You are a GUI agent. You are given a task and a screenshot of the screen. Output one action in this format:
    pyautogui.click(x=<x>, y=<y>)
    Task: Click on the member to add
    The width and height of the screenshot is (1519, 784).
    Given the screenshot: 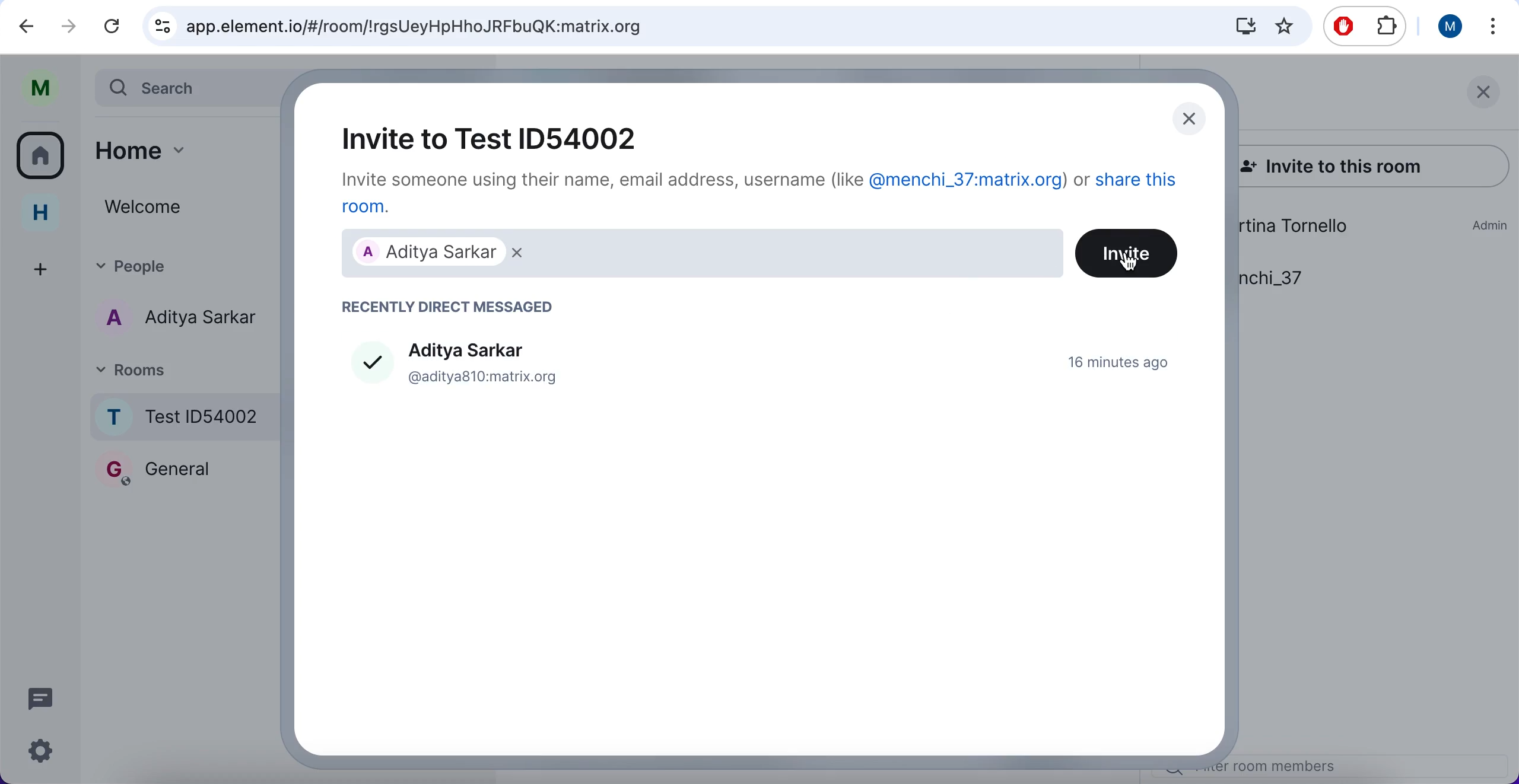 What is the action you would take?
    pyautogui.click(x=765, y=368)
    